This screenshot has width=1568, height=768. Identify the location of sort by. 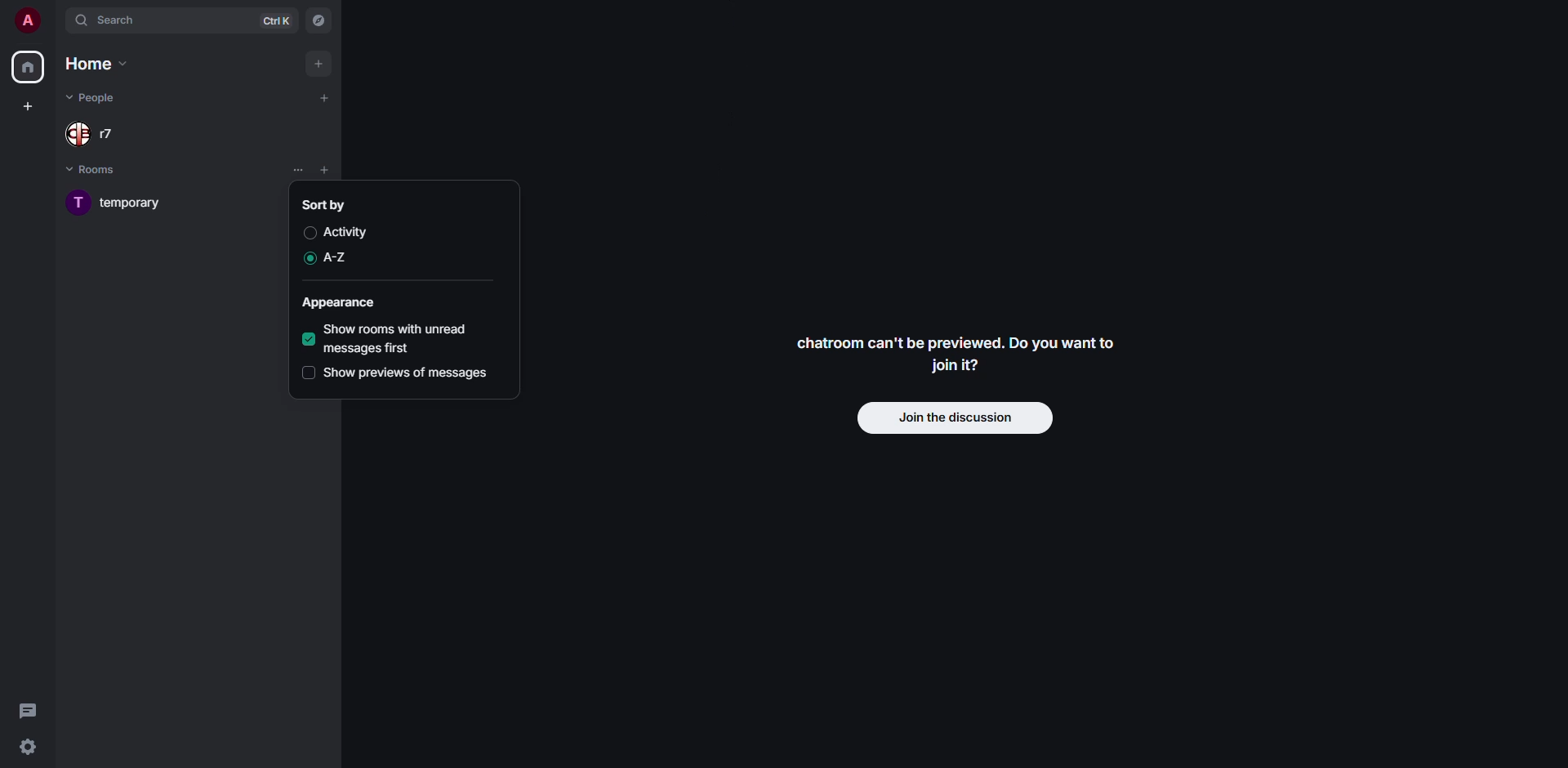
(329, 205).